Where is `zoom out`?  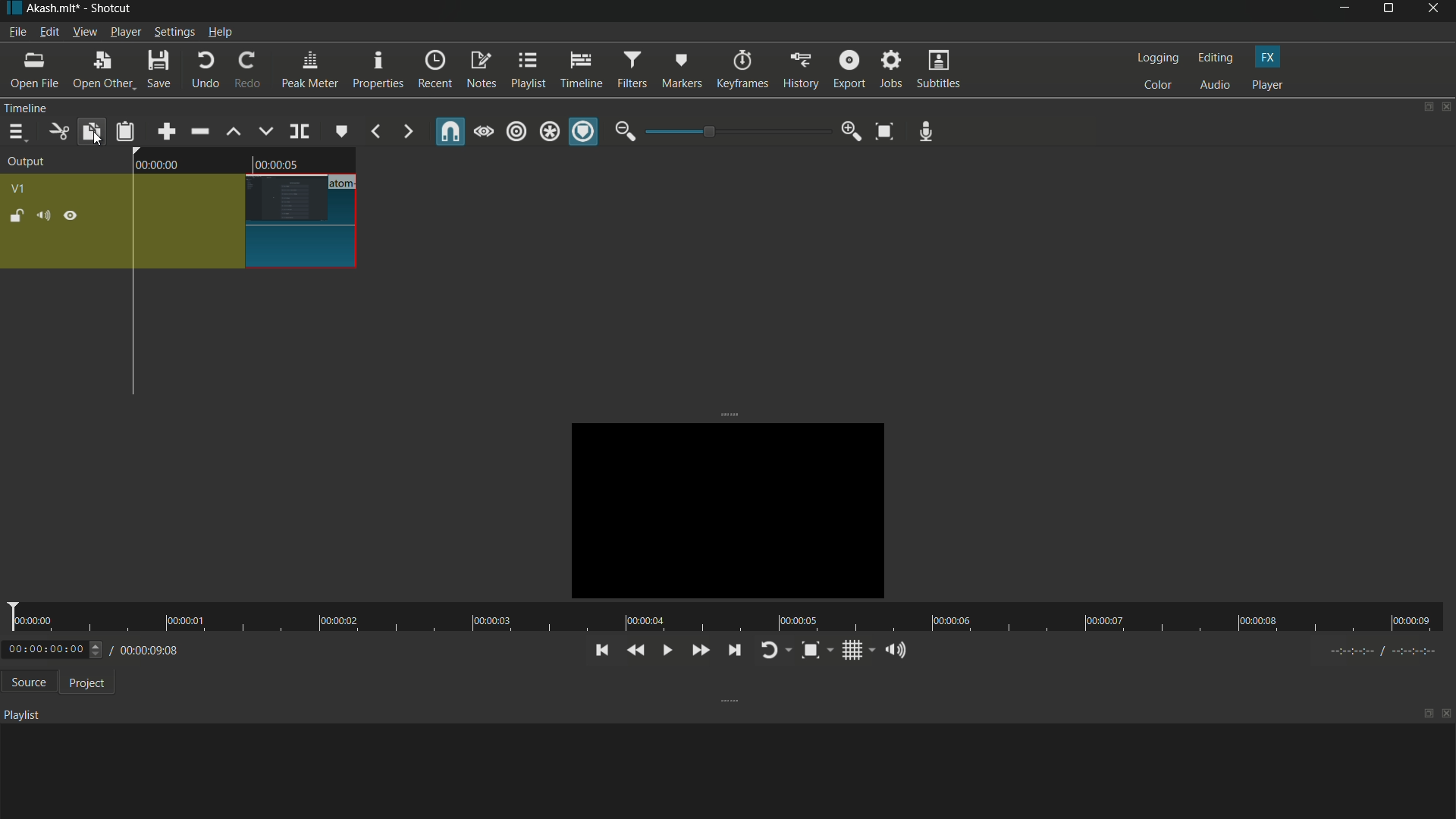 zoom out is located at coordinates (625, 131).